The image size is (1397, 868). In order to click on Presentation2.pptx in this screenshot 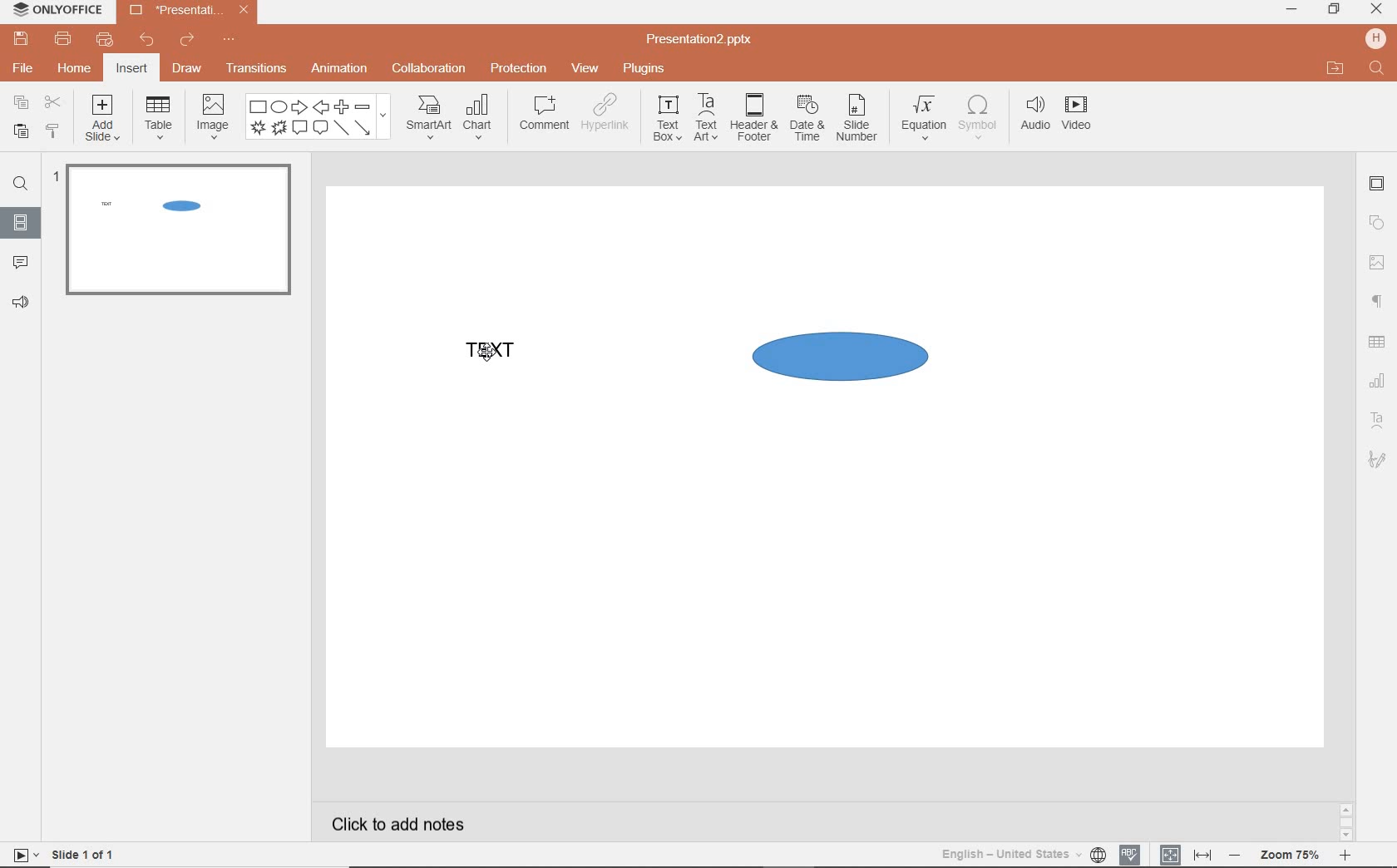, I will do `click(700, 40)`.